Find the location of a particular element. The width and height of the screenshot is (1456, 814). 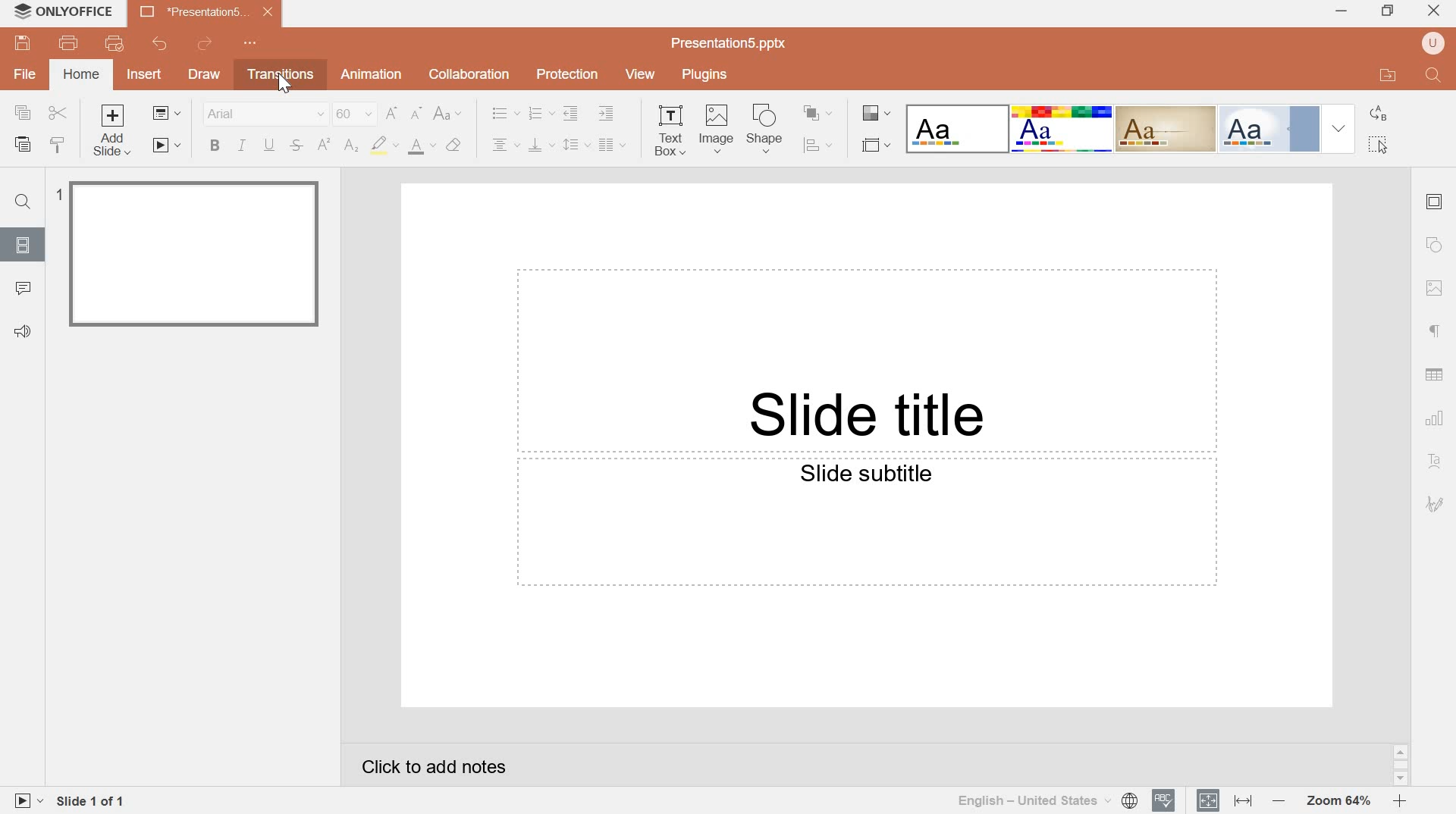

Slide 1 of 1 is located at coordinates (93, 803).